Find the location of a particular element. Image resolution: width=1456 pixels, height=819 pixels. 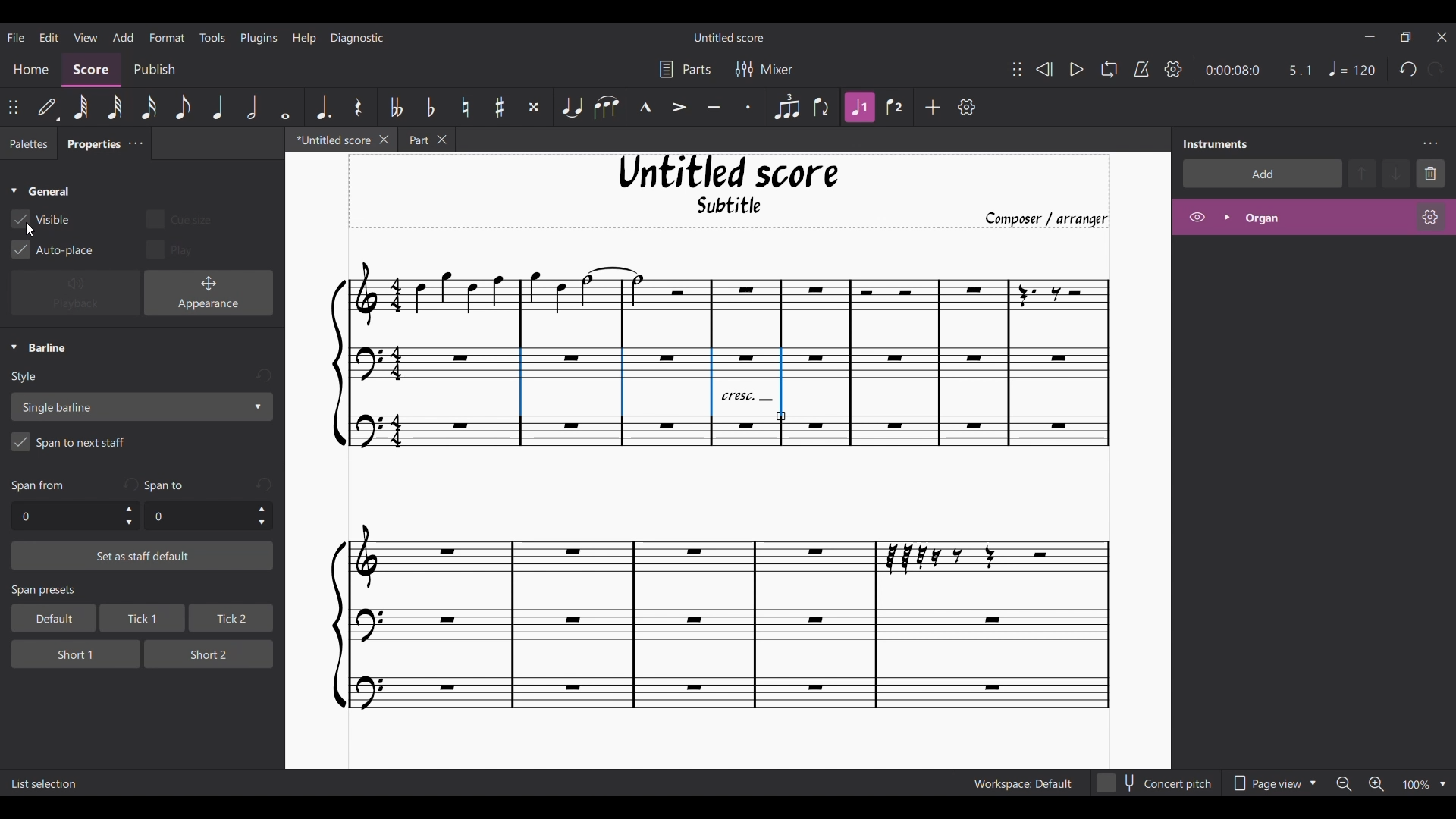

Current tab highlighted is located at coordinates (328, 142).